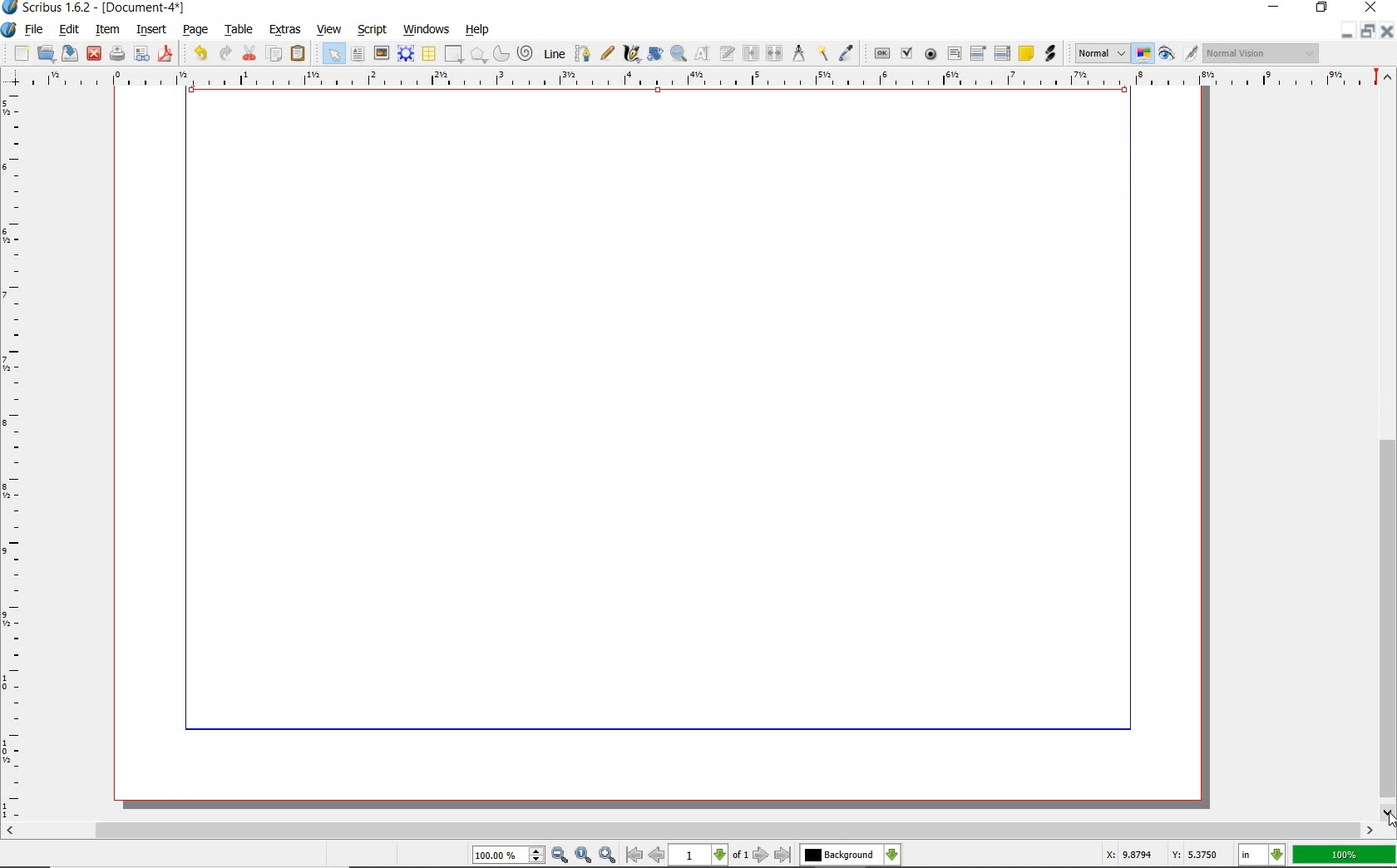 The image size is (1397, 868). Describe the element at coordinates (1144, 55) in the screenshot. I see `toggle color management` at that location.